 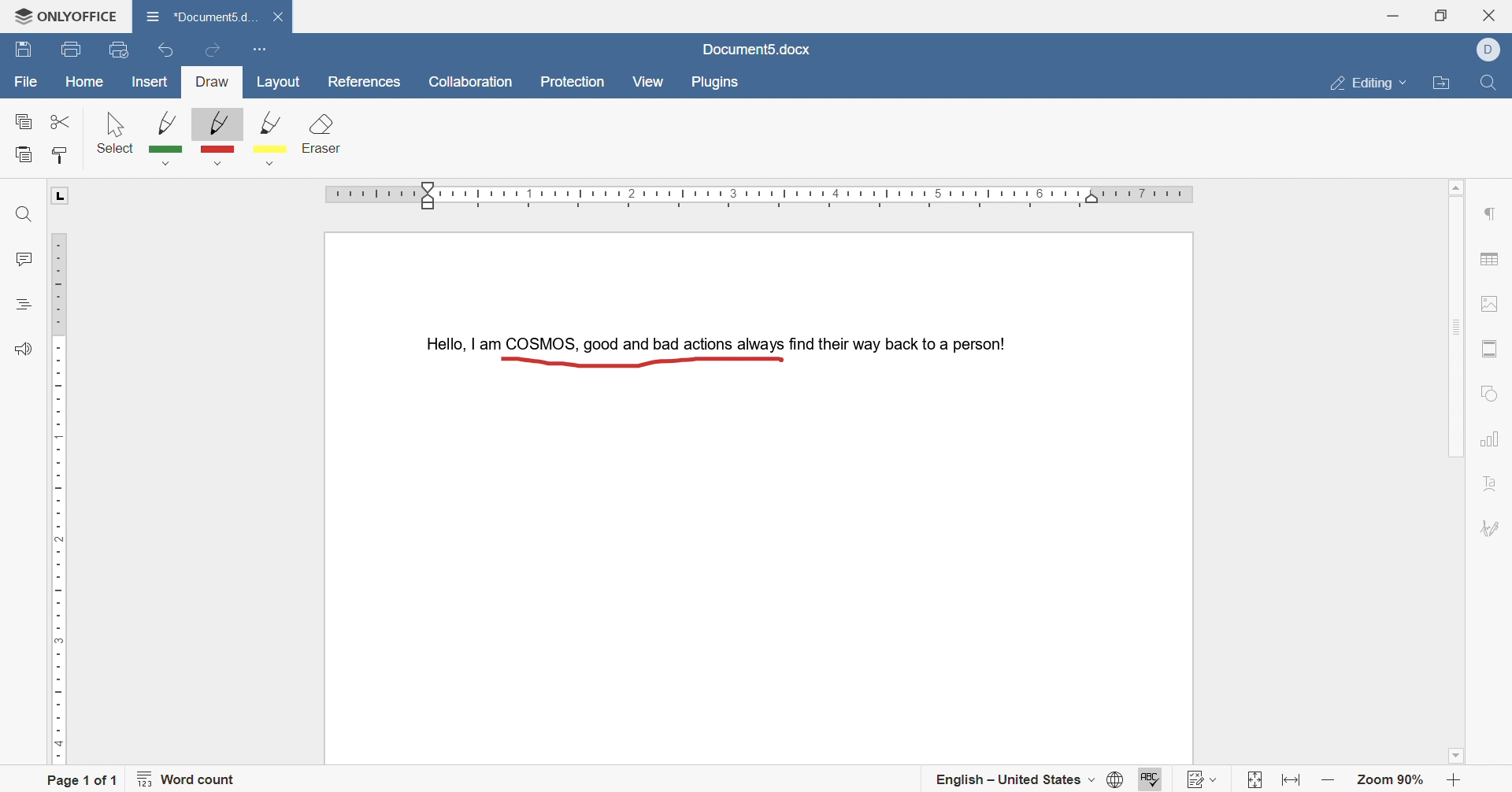 I want to click on references, so click(x=362, y=82).